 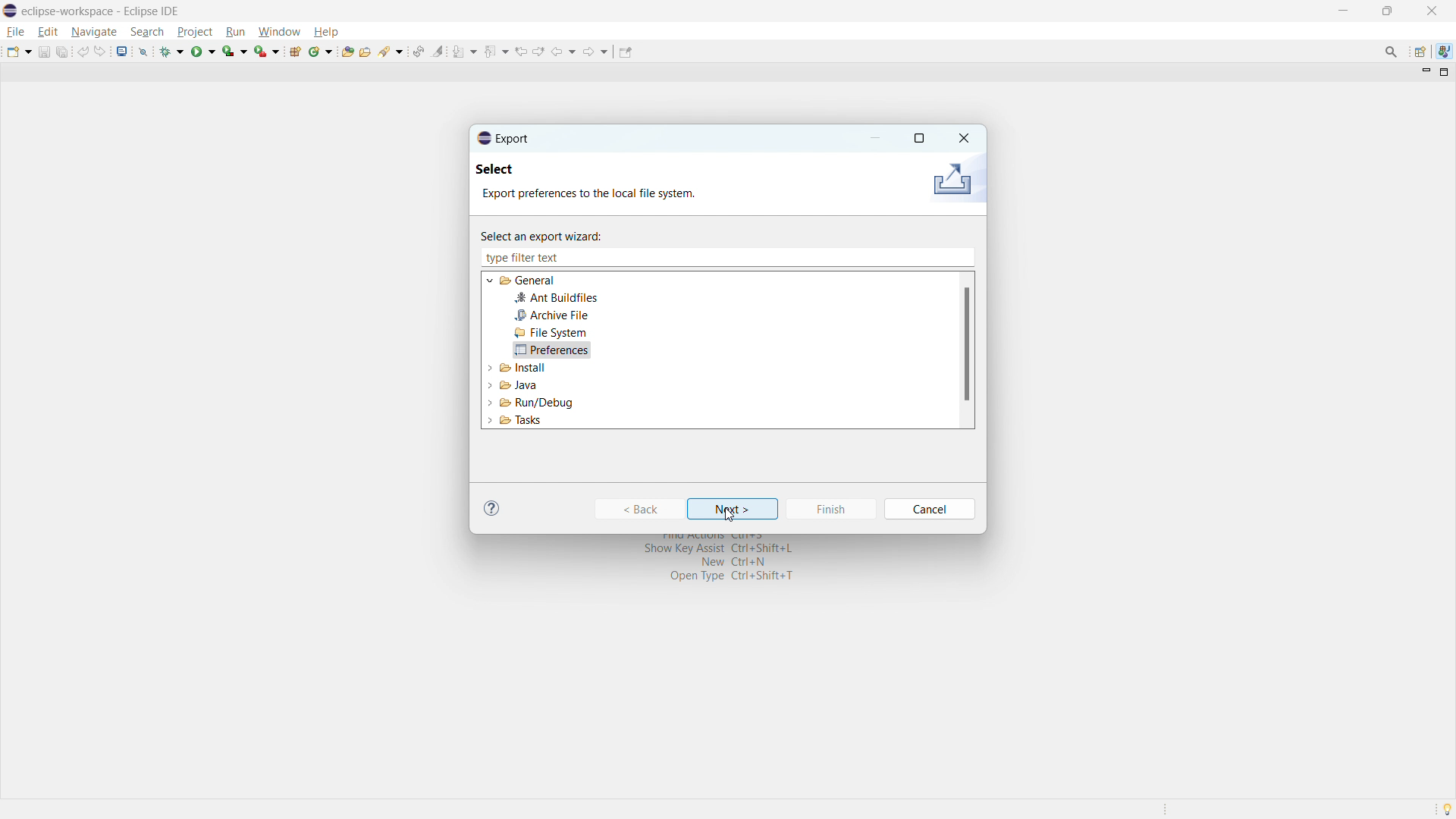 I want to click on new, so click(x=19, y=52).